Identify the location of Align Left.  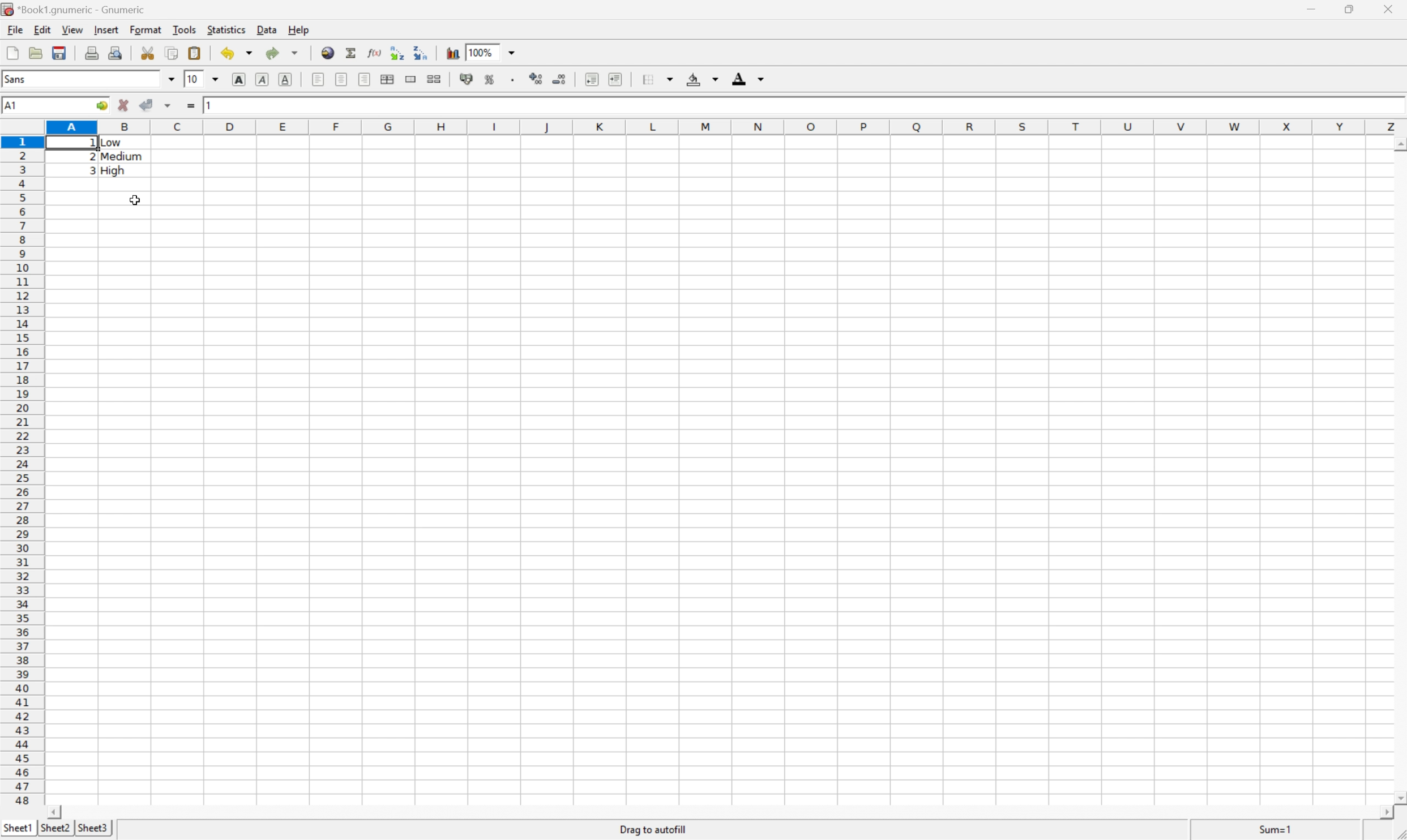
(318, 78).